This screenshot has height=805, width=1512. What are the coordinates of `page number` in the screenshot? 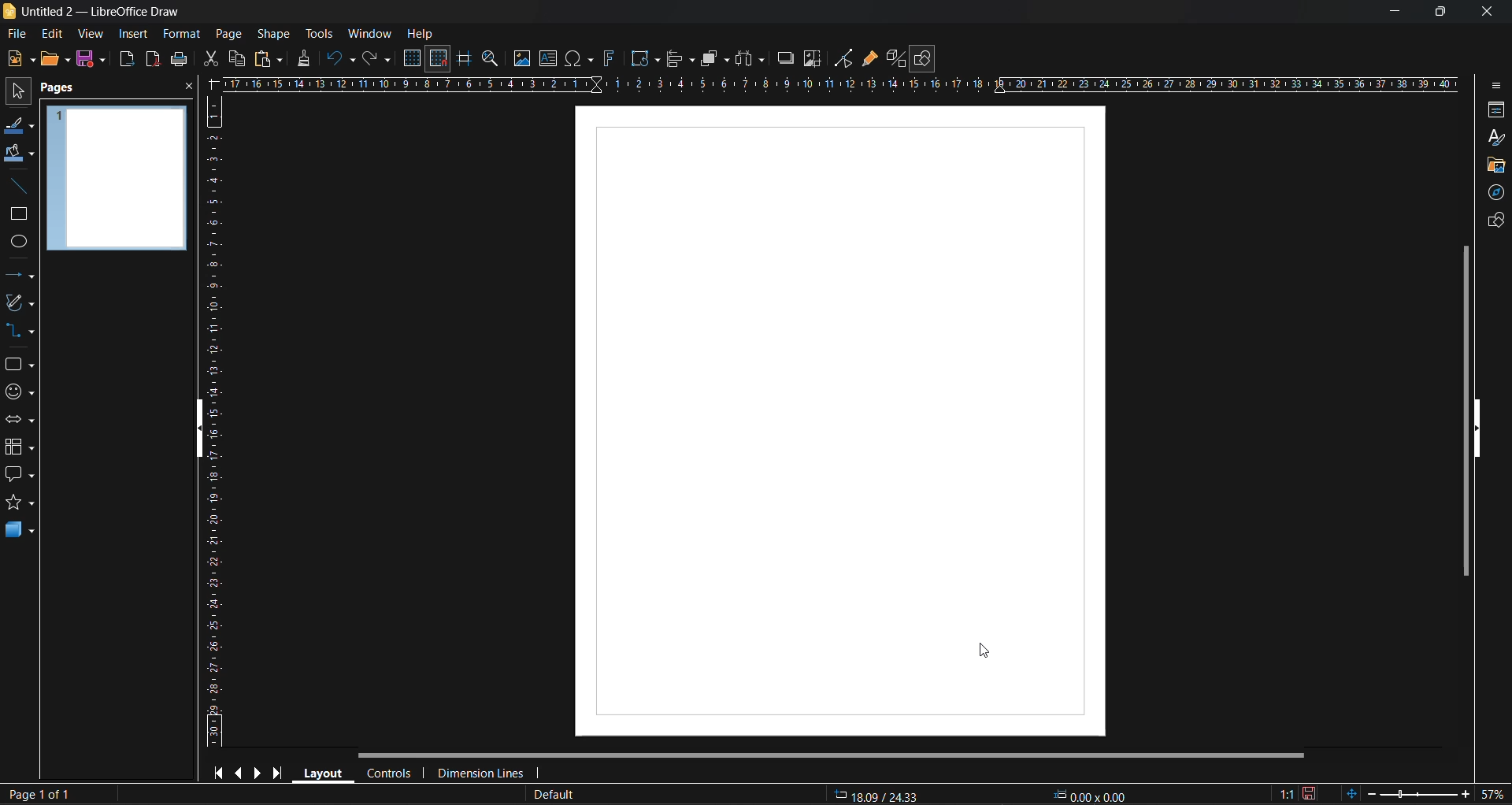 It's located at (38, 792).